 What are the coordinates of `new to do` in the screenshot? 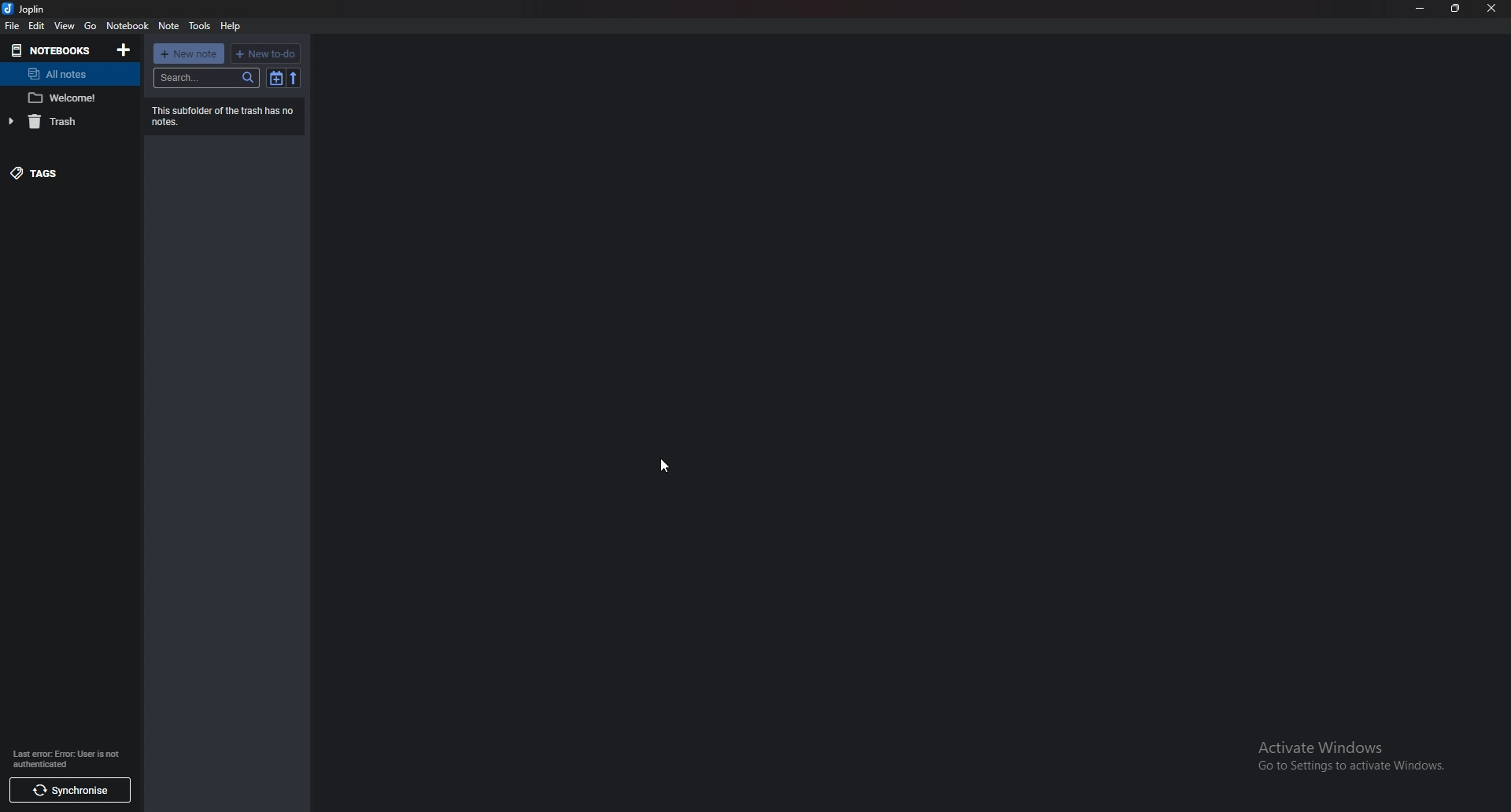 It's located at (265, 54).